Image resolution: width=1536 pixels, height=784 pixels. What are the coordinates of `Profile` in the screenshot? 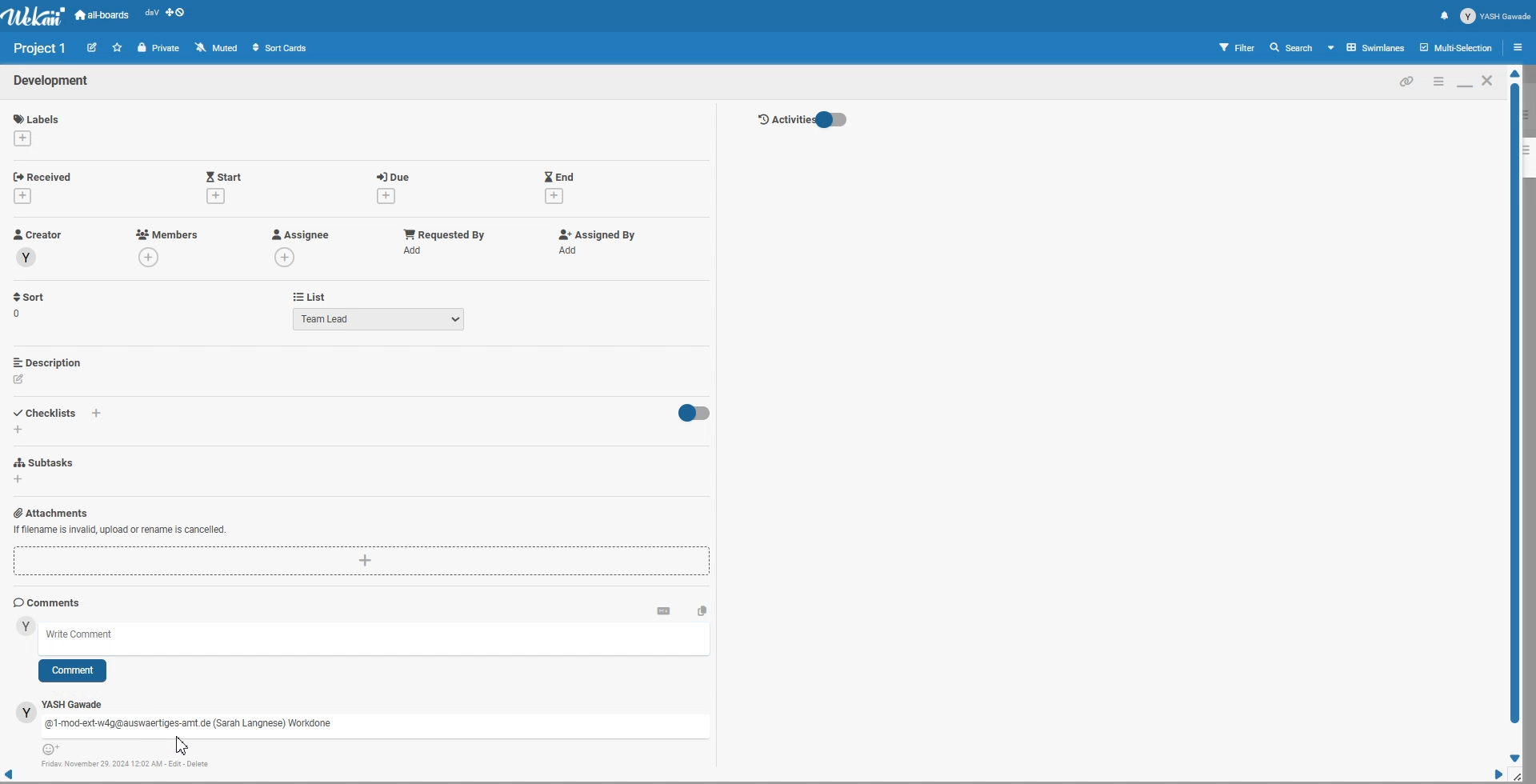 It's located at (1496, 16).